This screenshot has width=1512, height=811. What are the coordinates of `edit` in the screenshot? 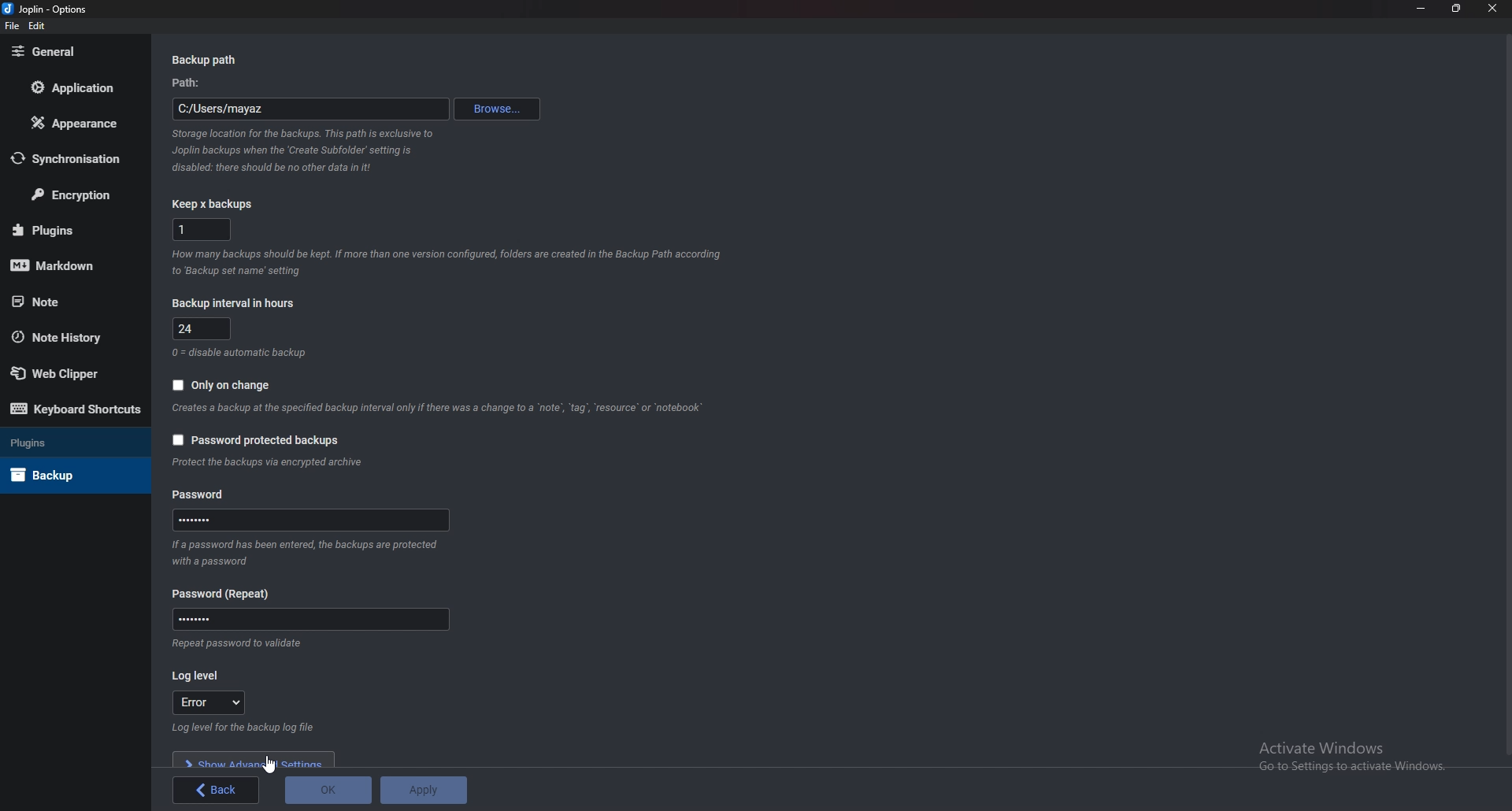 It's located at (39, 26).